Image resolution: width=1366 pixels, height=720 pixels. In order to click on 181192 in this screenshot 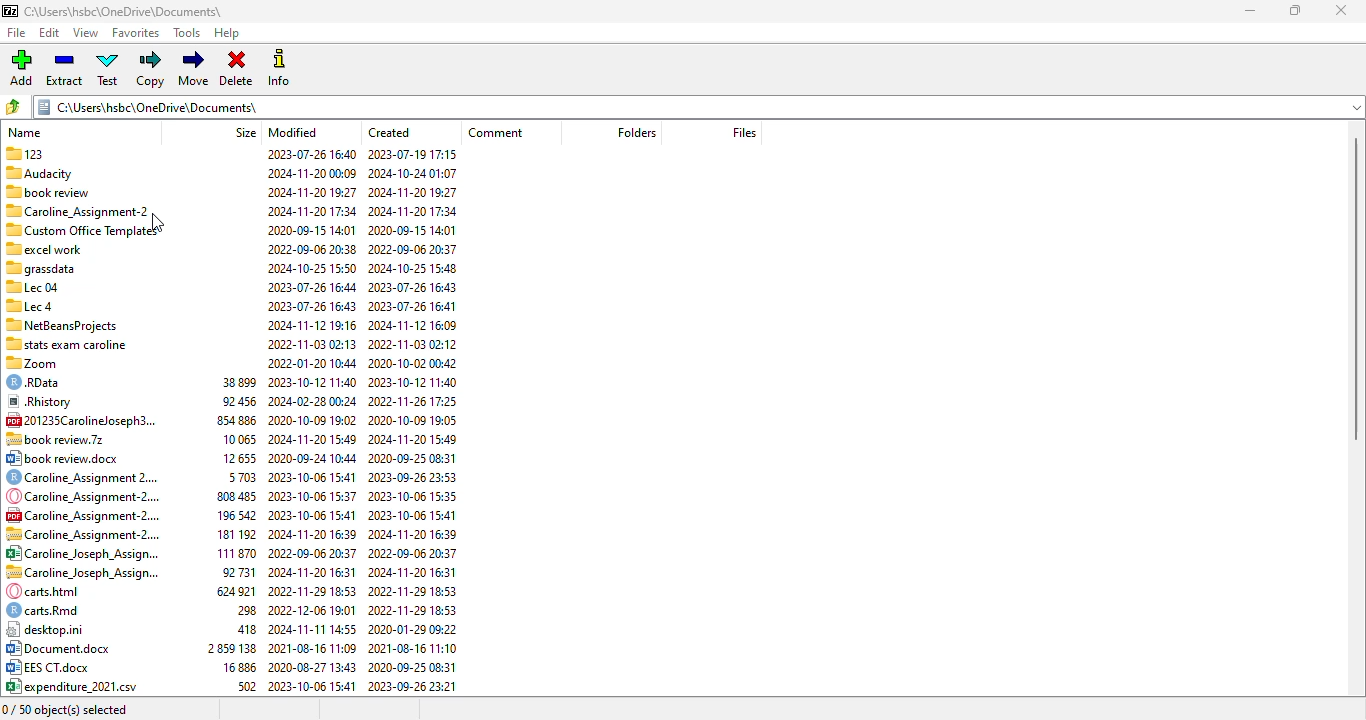, I will do `click(235, 536)`.